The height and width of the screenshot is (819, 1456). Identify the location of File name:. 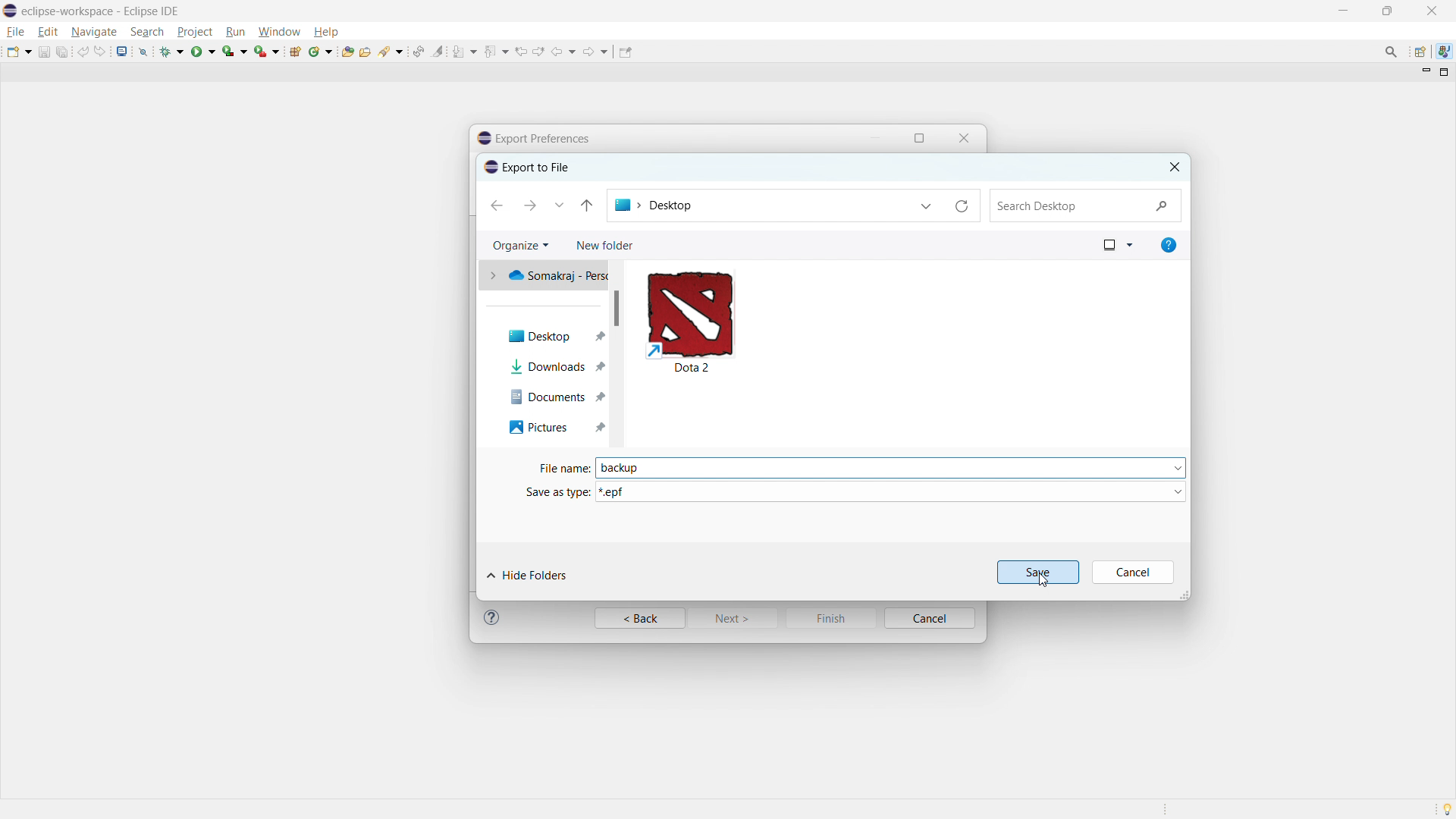
(561, 464).